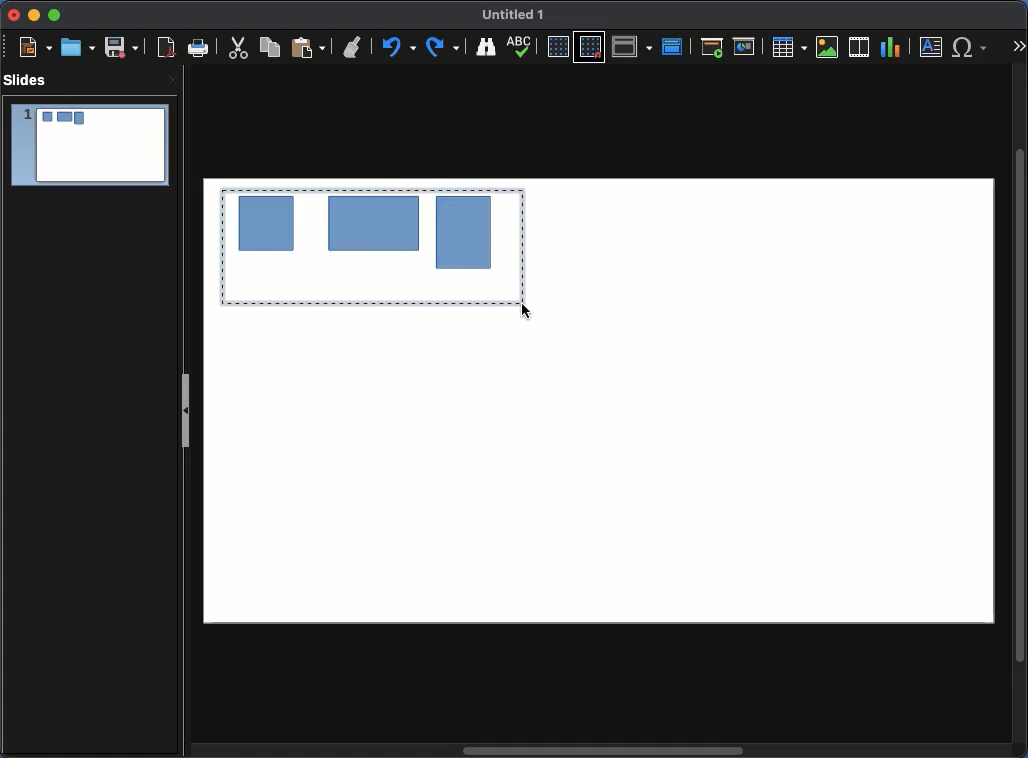 The height and width of the screenshot is (758, 1028). I want to click on Scroll bar, so click(605, 752).